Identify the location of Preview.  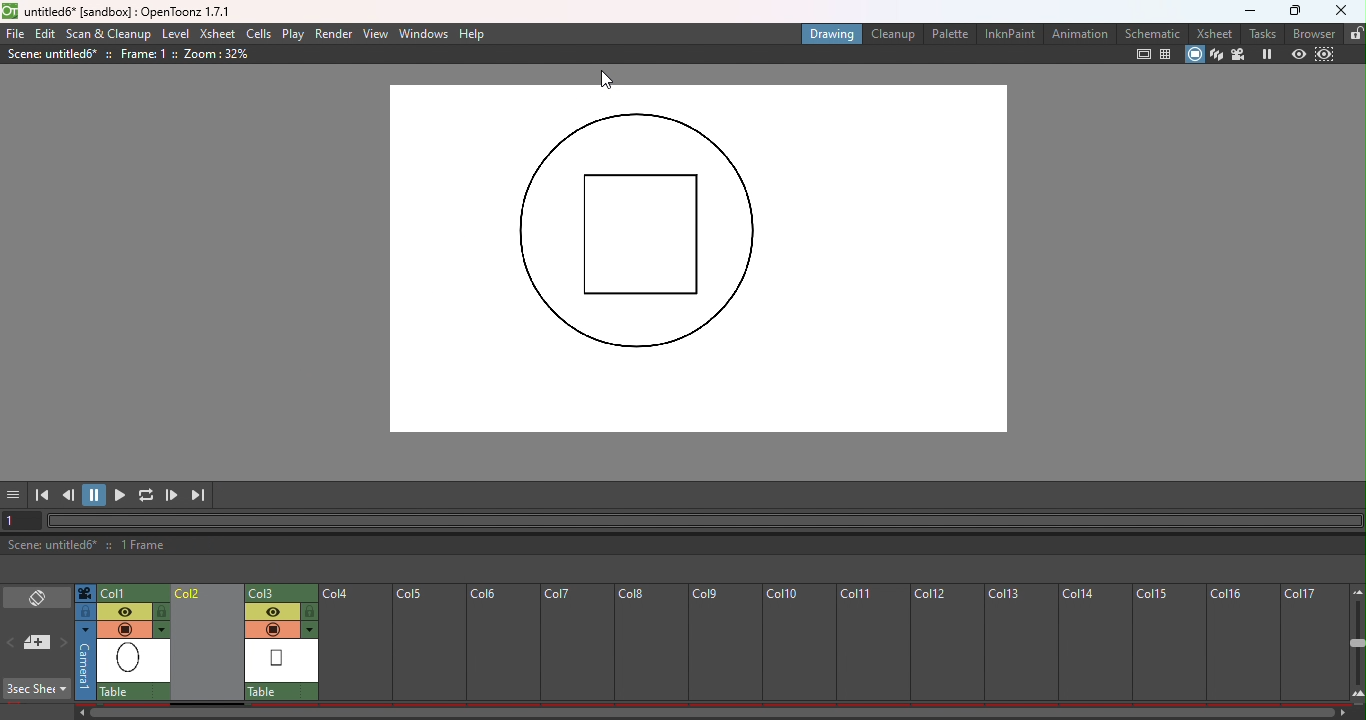
(1298, 55).